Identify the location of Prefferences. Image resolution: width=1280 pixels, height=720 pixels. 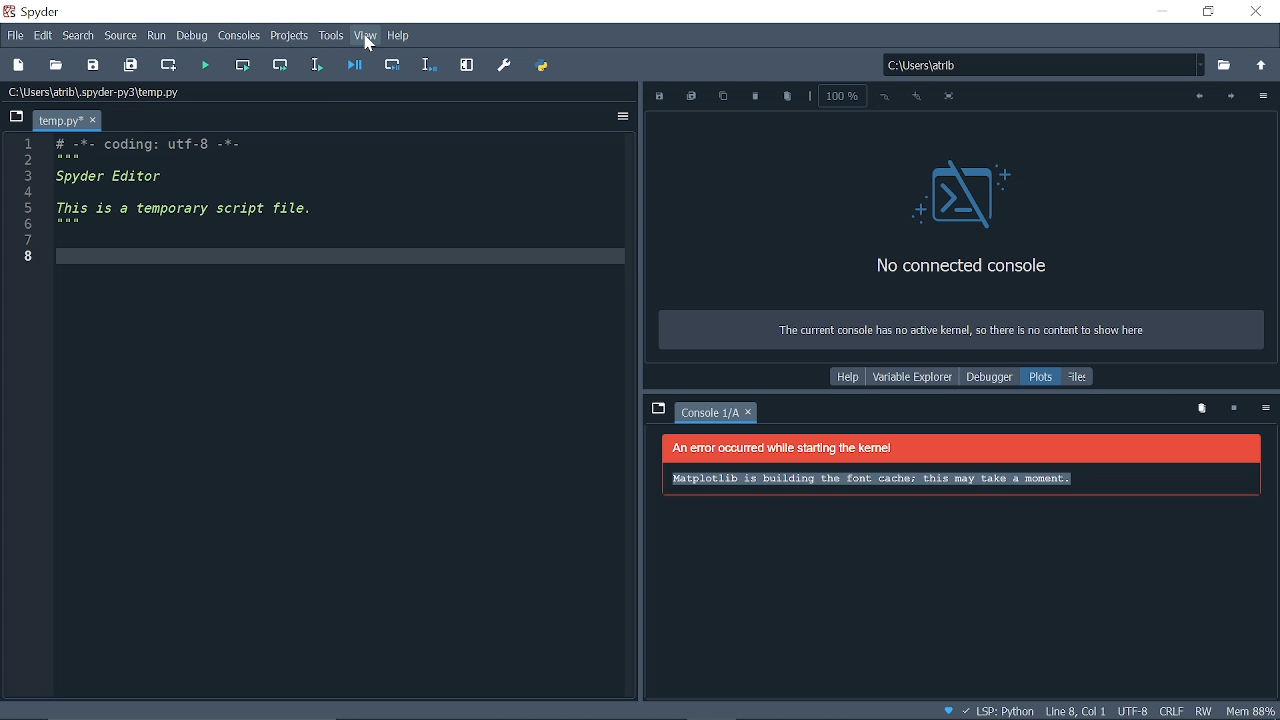
(506, 67).